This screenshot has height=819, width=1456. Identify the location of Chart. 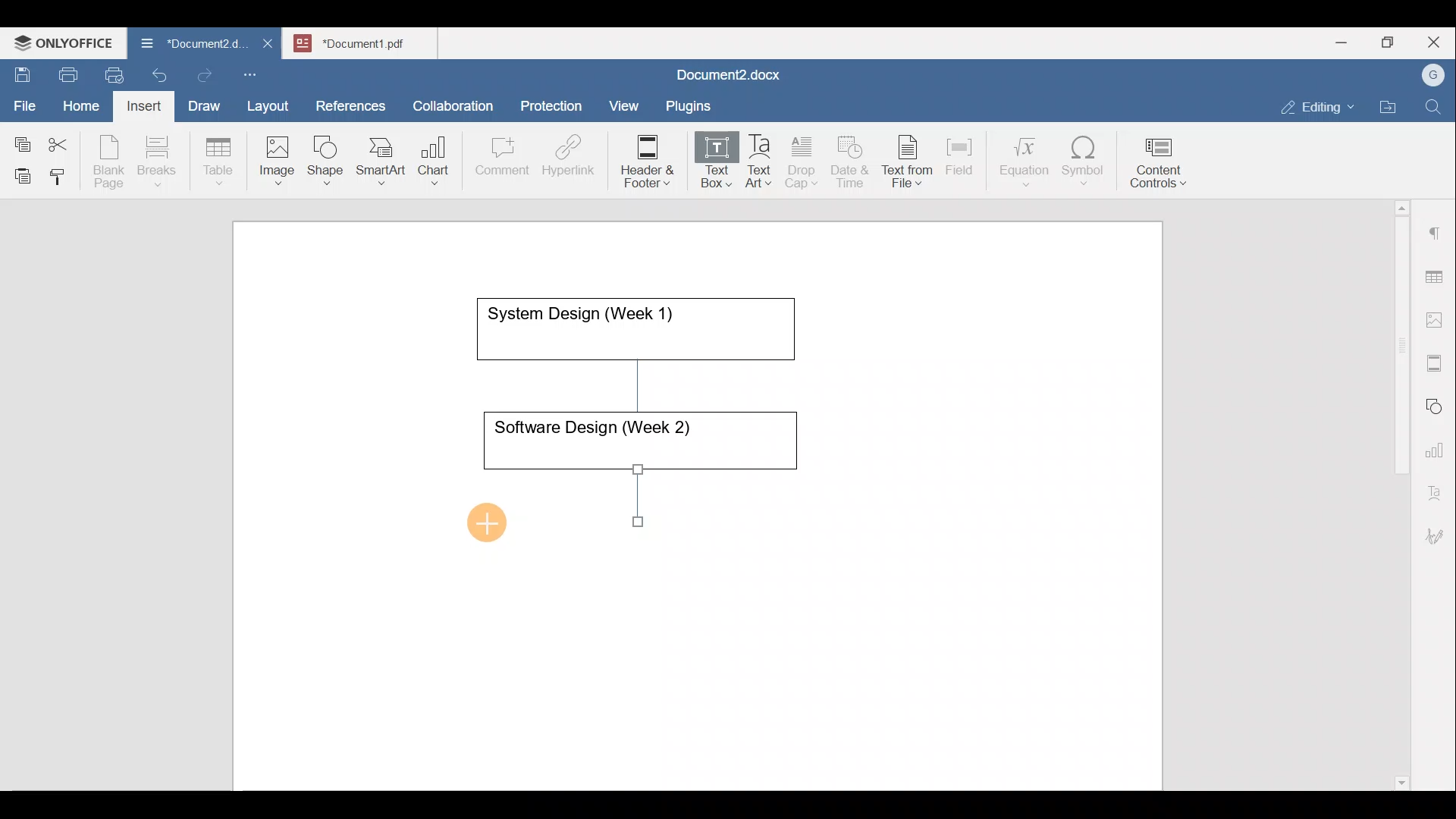
(431, 162).